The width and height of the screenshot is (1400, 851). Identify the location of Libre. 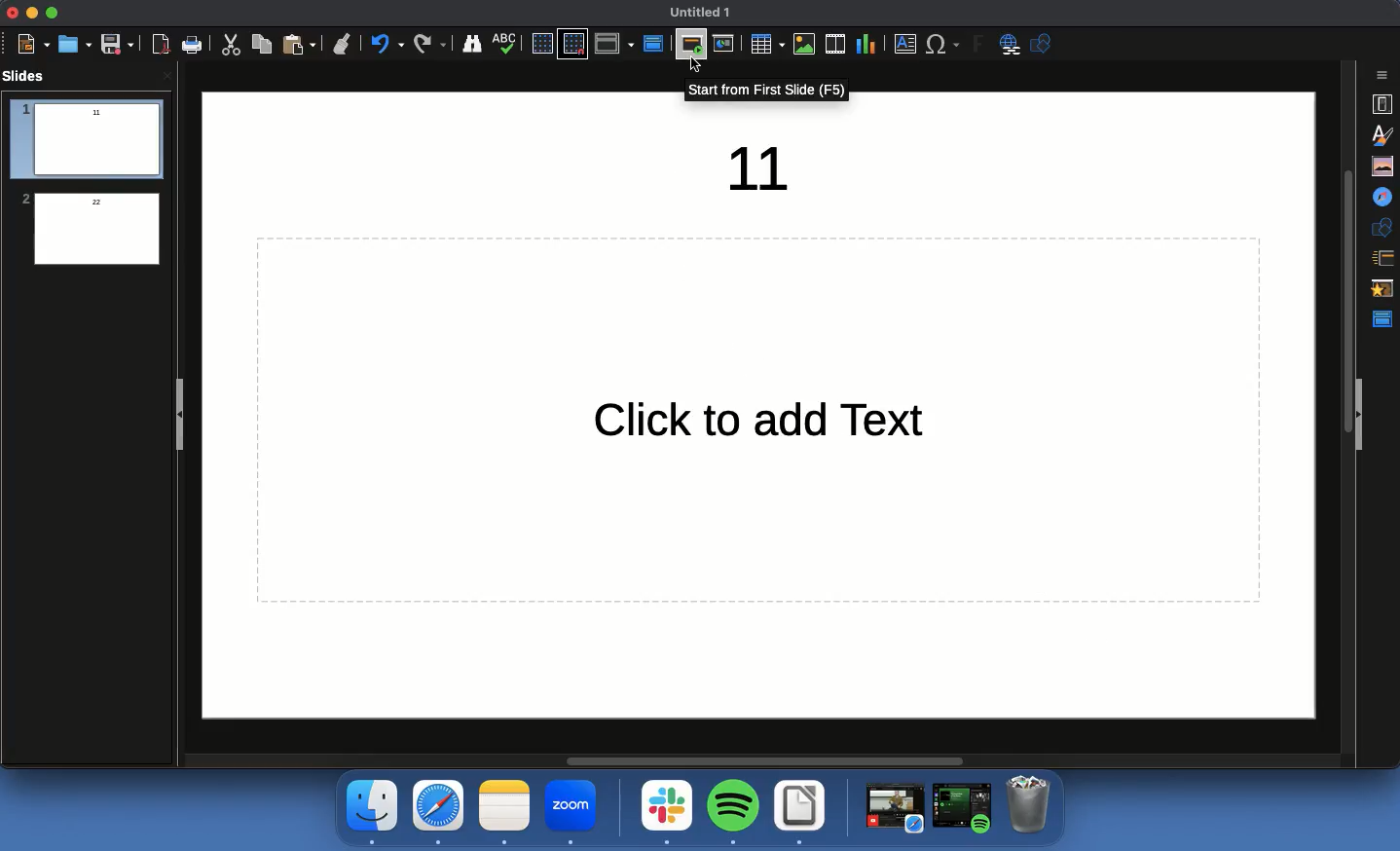
(799, 814).